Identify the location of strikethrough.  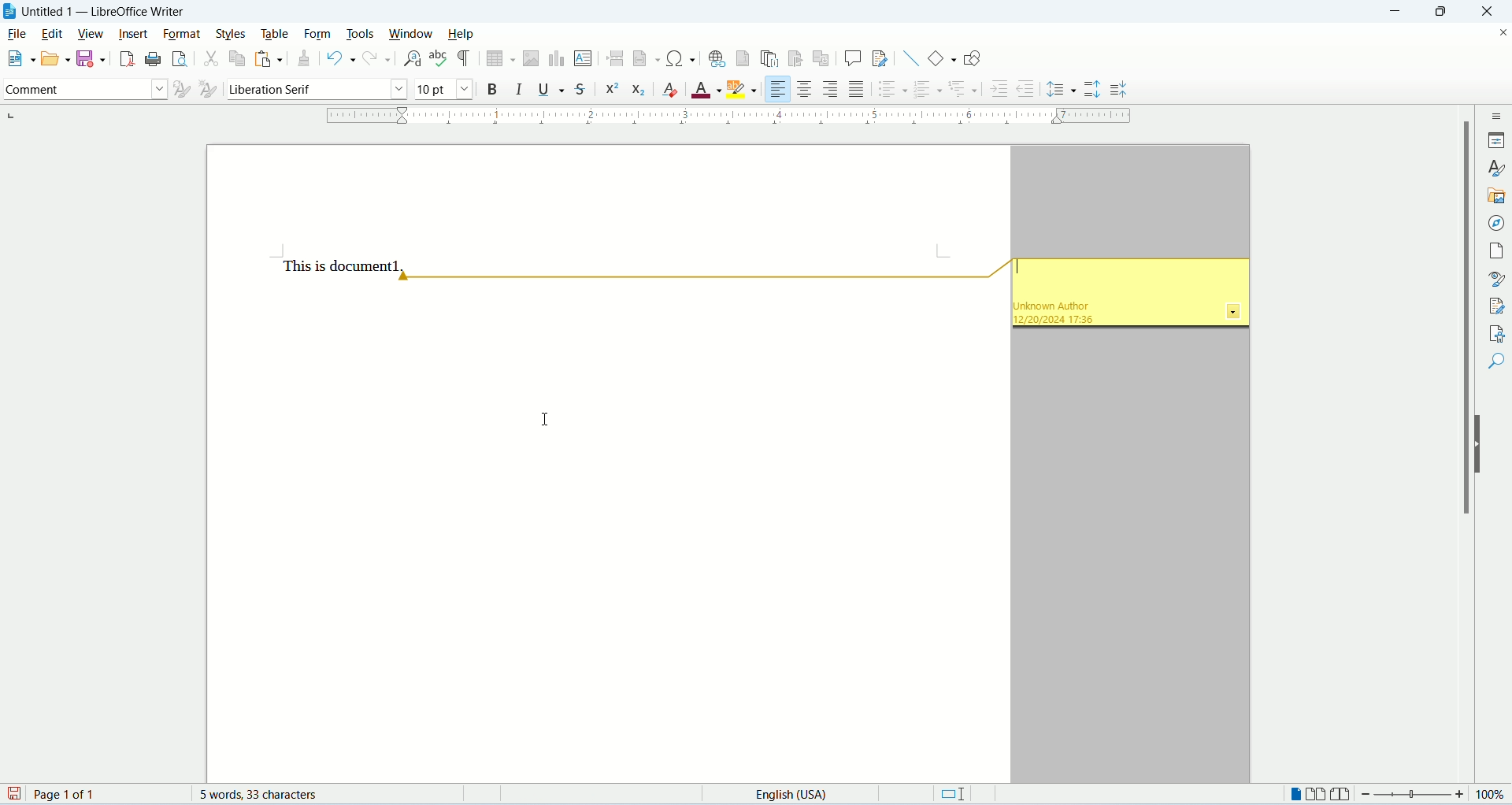
(582, 88).